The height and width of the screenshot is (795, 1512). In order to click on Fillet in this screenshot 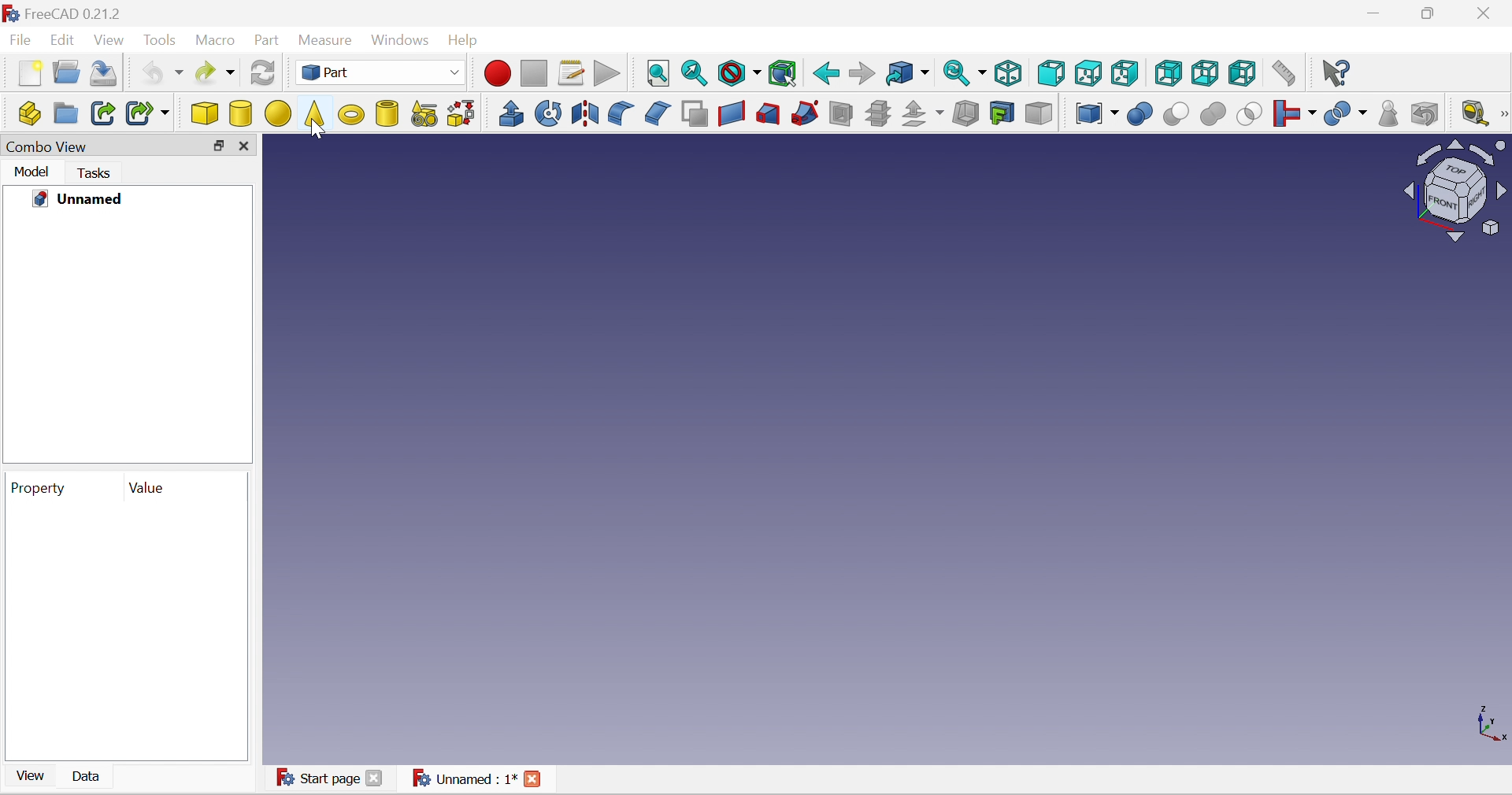, I will do `click(619, 113)`.